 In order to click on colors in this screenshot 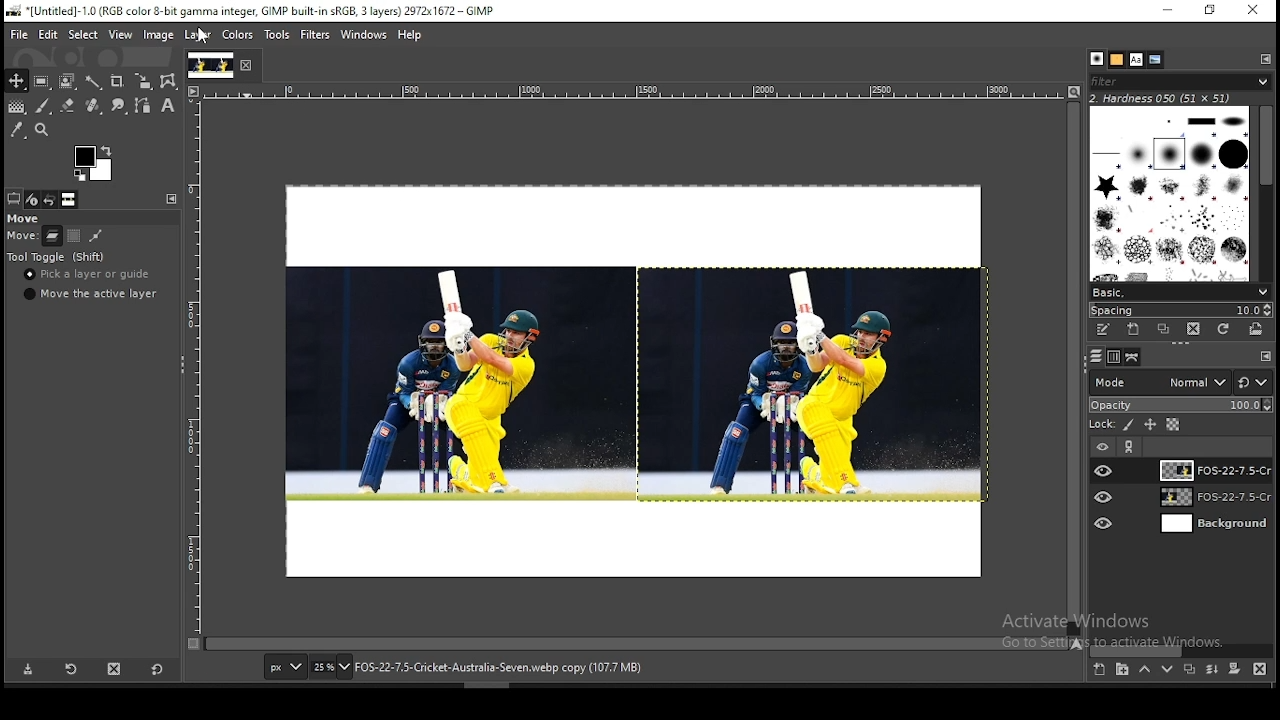, I will do `click(240, 36)`.